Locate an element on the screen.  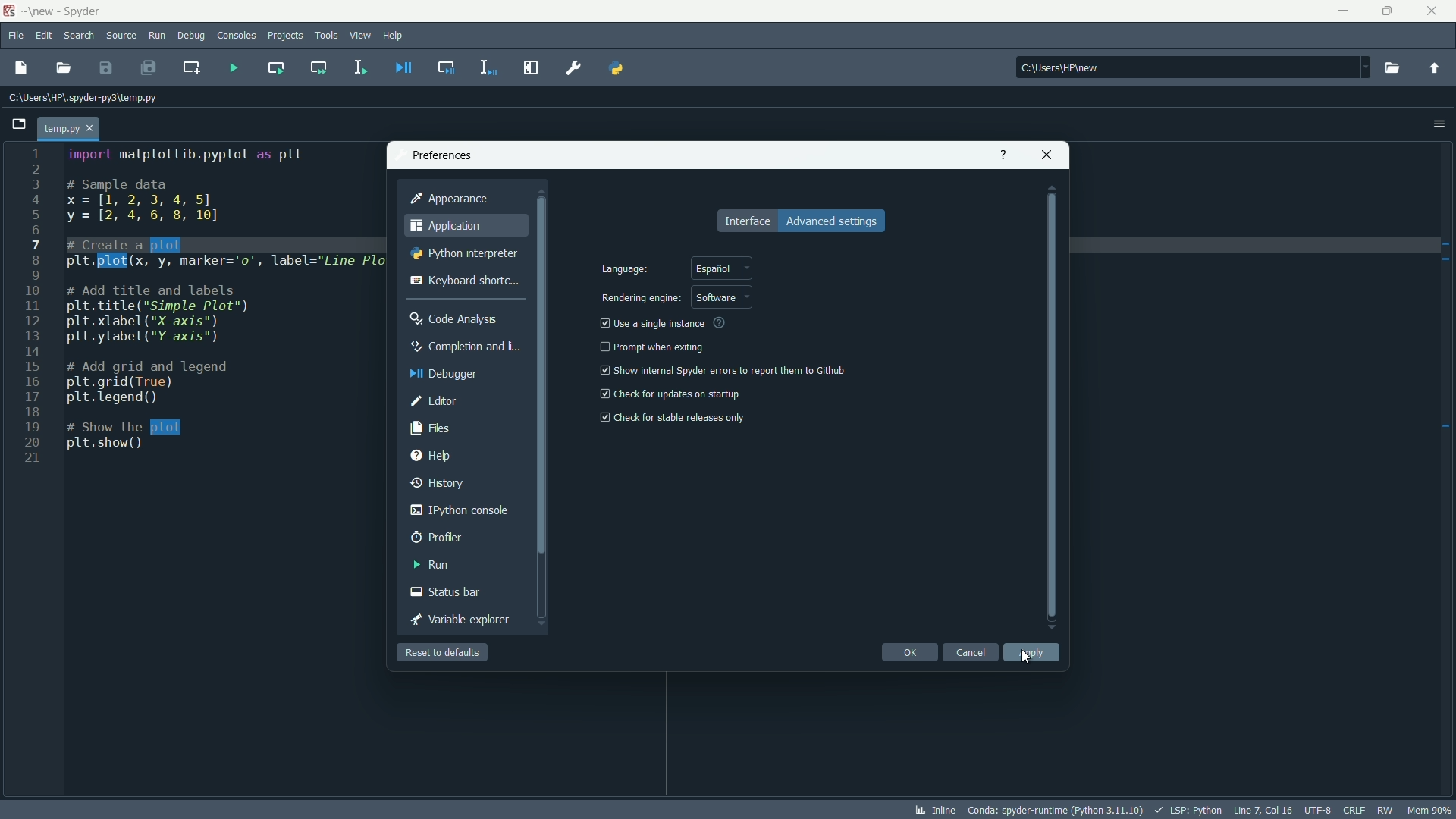
language is located at coordinates (624, 270).